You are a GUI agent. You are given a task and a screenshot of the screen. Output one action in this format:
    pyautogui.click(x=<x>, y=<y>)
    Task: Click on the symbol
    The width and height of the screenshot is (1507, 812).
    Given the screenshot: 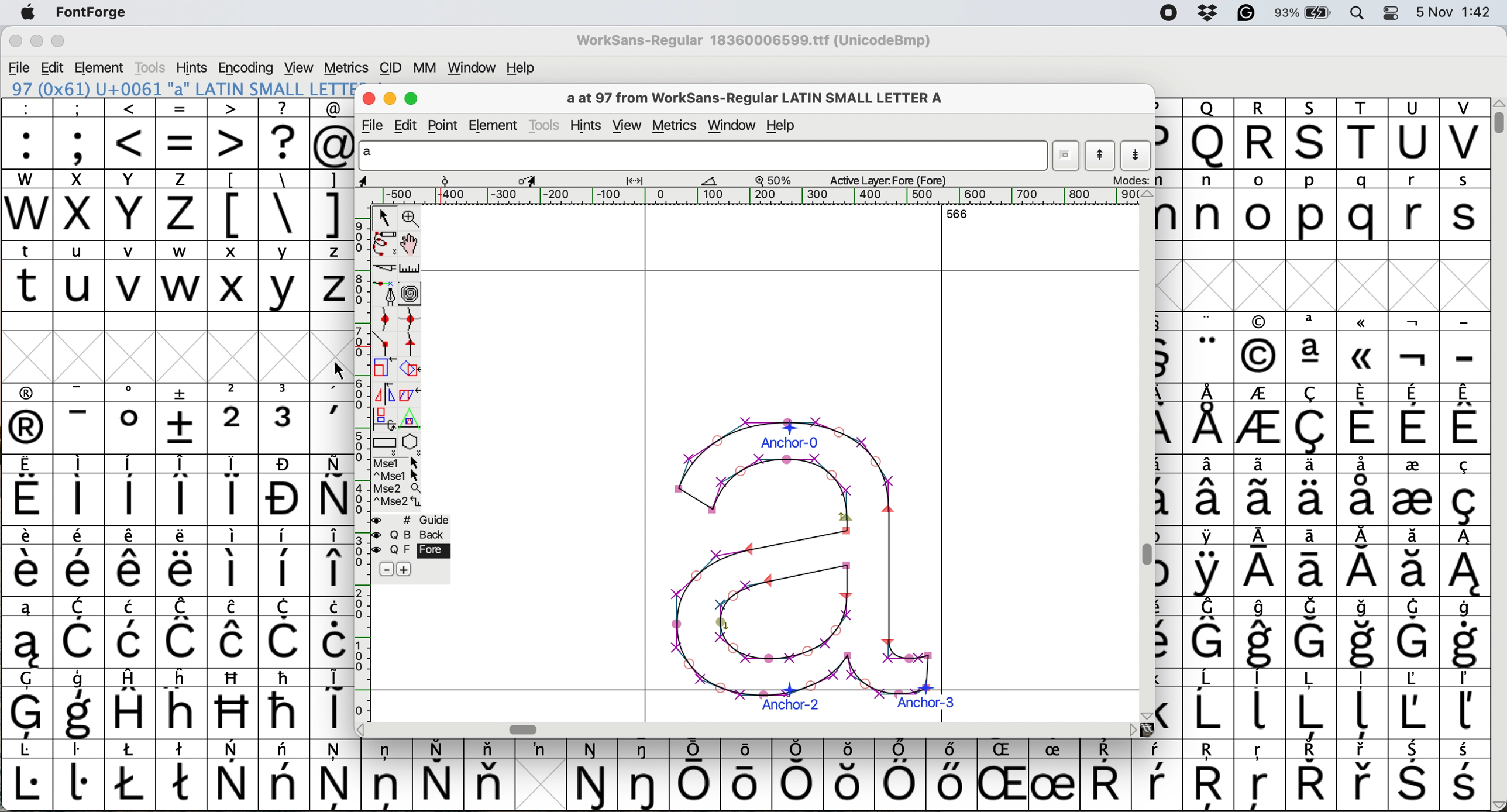 What is the action you would take?
    pyautogui.click(x=900, y=775)
    